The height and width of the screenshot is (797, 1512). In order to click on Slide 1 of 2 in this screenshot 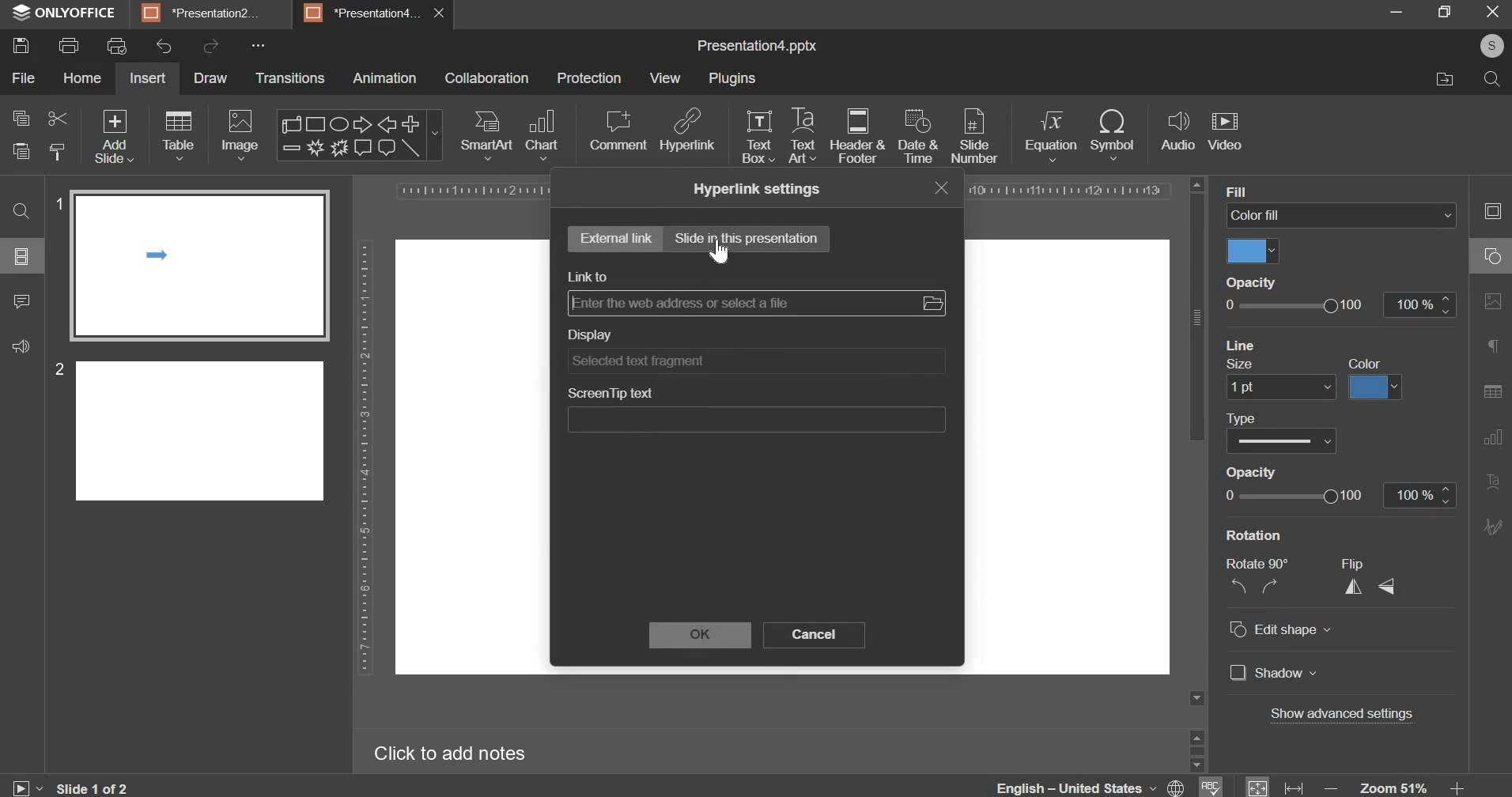, I will do `click(101, 785)`.